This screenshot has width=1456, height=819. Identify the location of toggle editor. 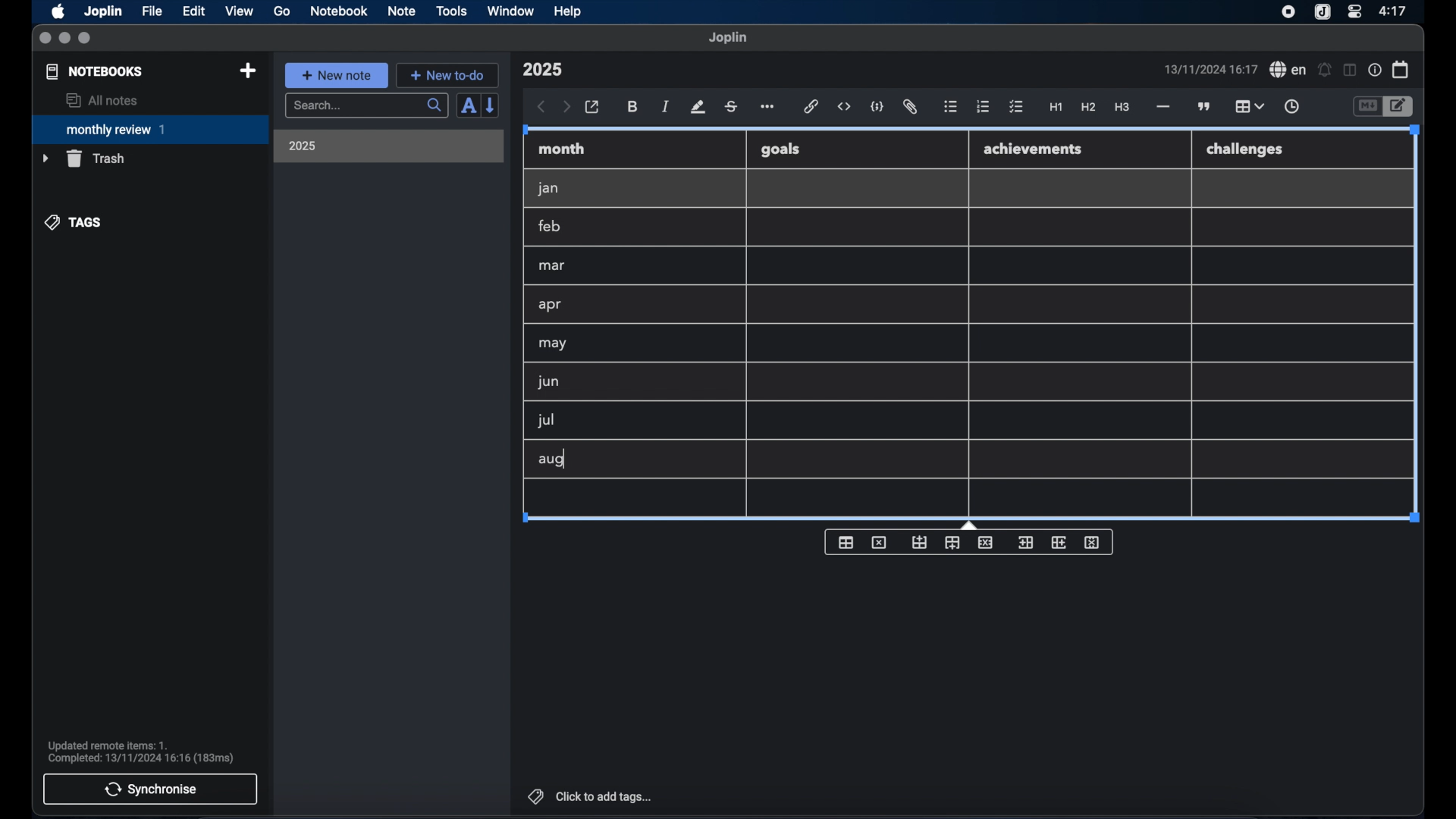
(1367, 107).